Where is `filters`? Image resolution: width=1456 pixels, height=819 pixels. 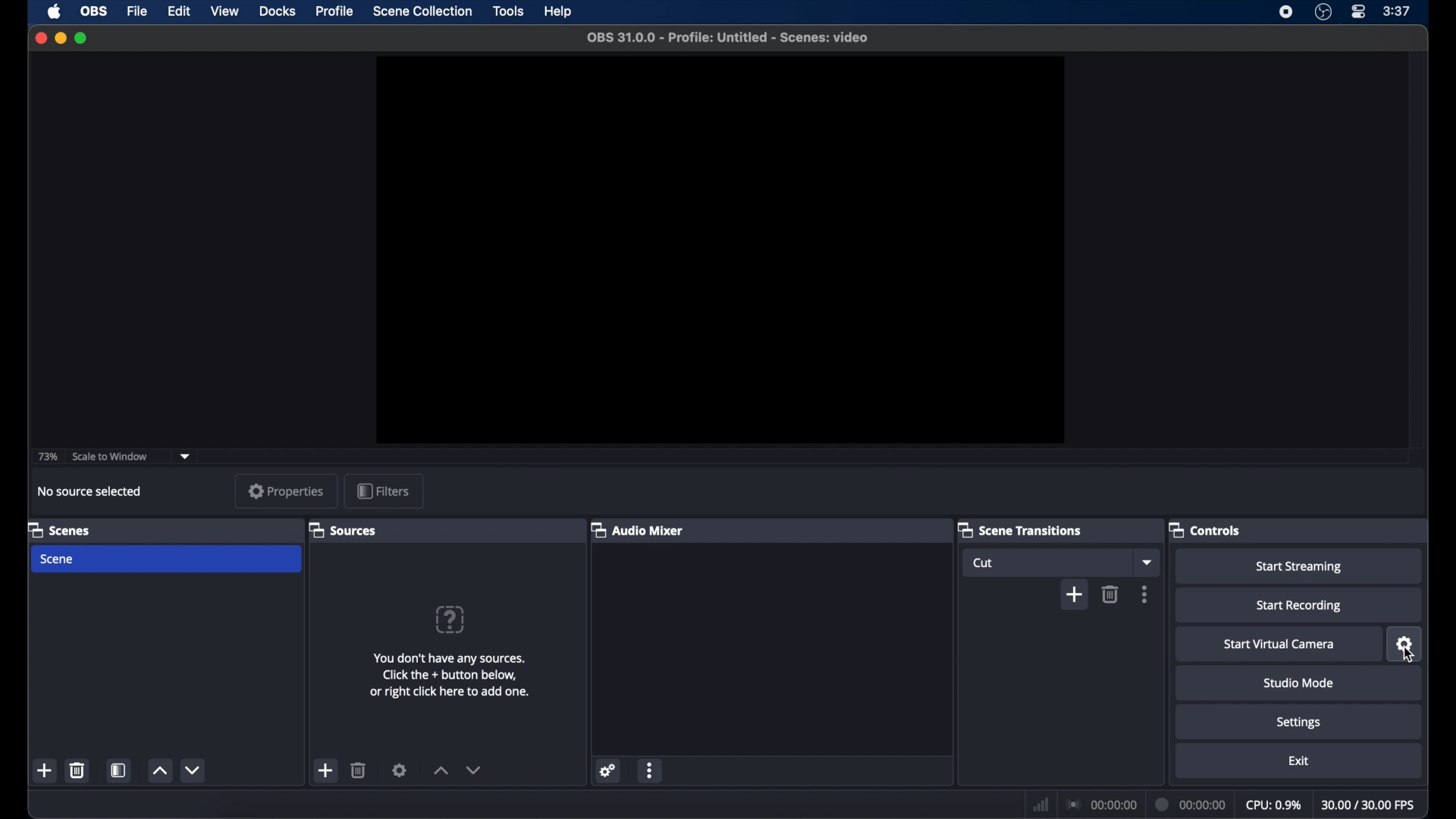
filters is located at coordinates (382, 490).